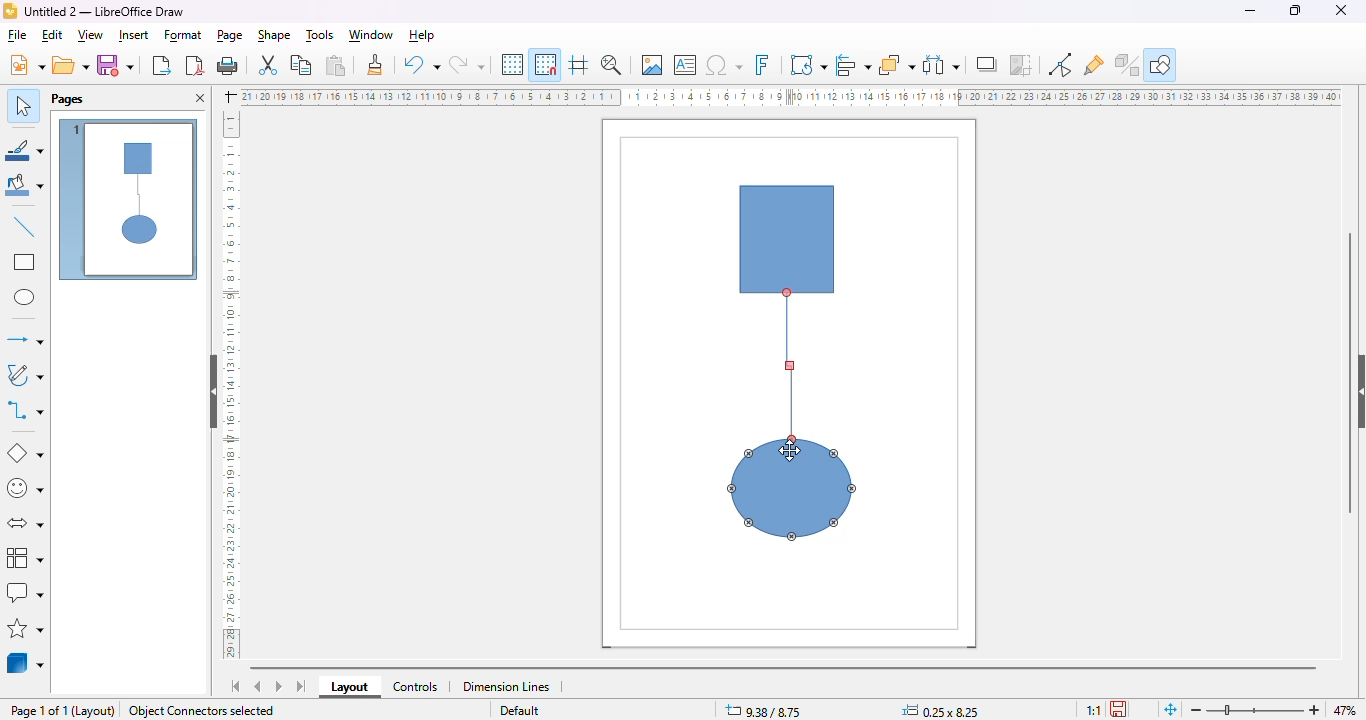  What do you see at coordinates (236, 687) in the screenshot?
I see `scroll to first sheet` at bounding box center [236, 687].